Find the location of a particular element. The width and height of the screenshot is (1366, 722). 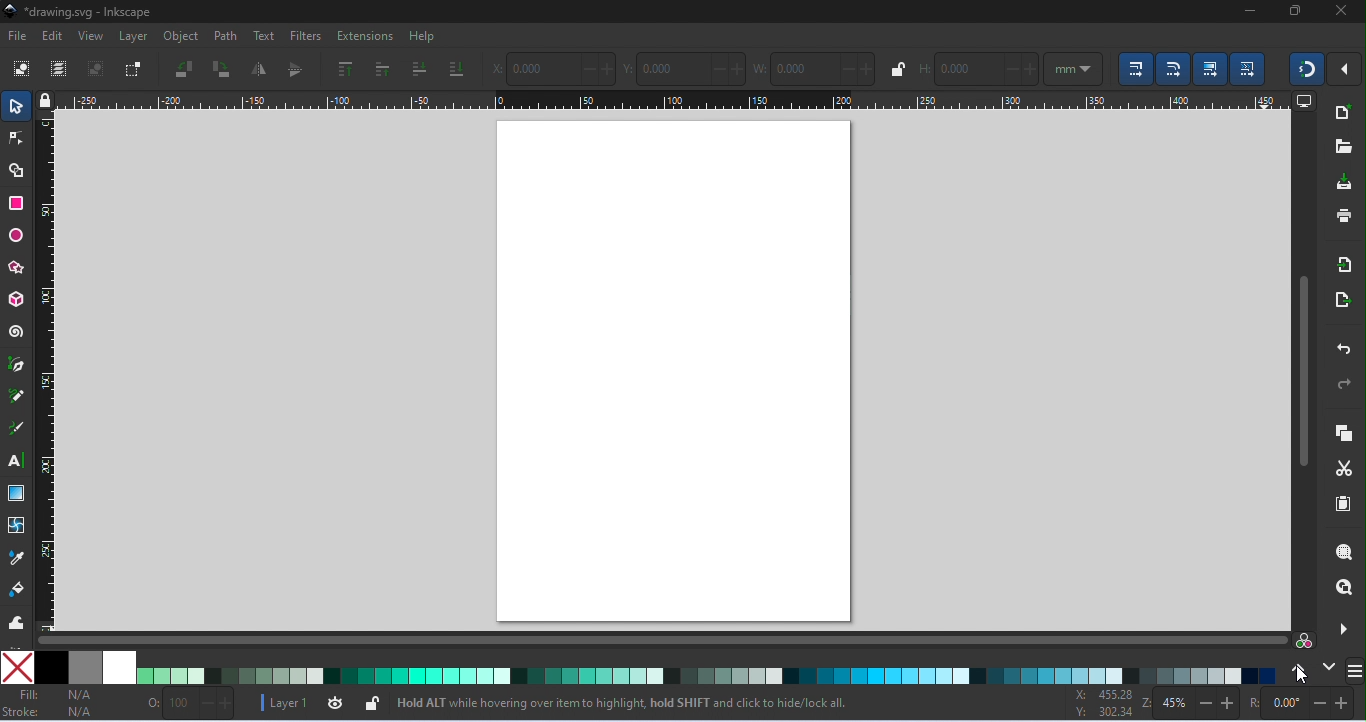

close is located at coordinates (1340, 13).